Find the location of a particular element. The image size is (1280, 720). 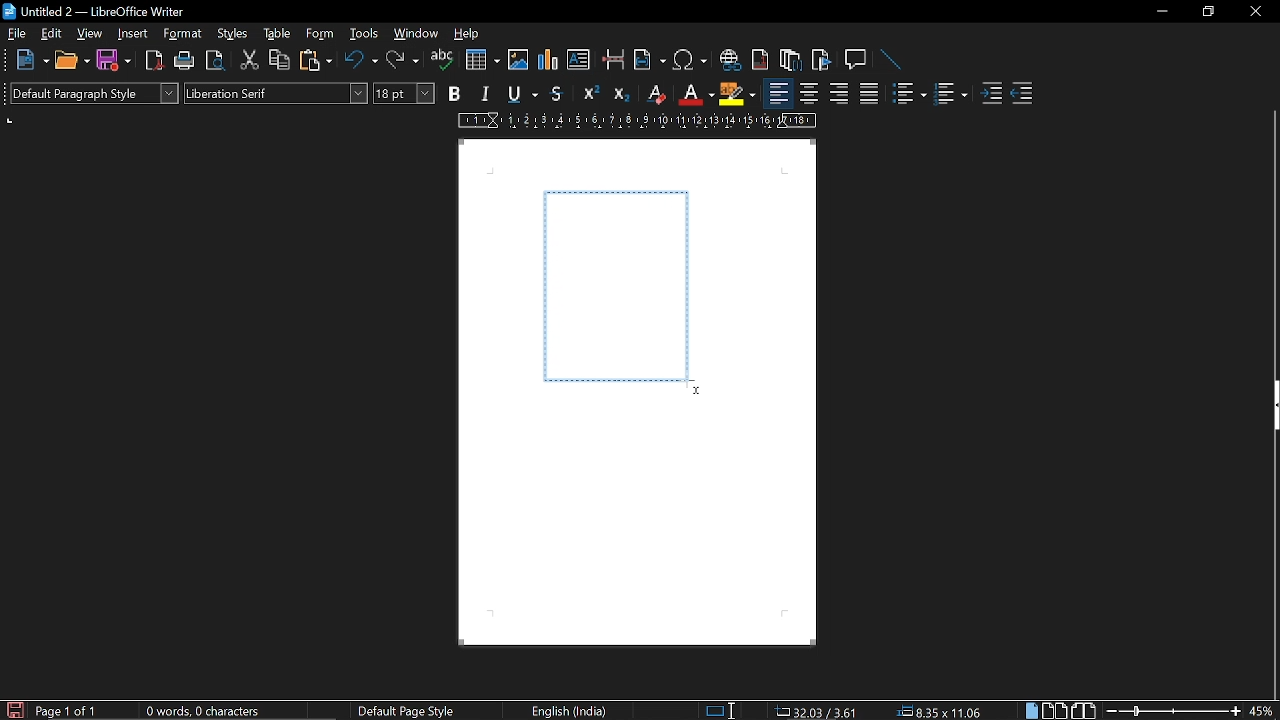

file is located at coordinates (15, 34).